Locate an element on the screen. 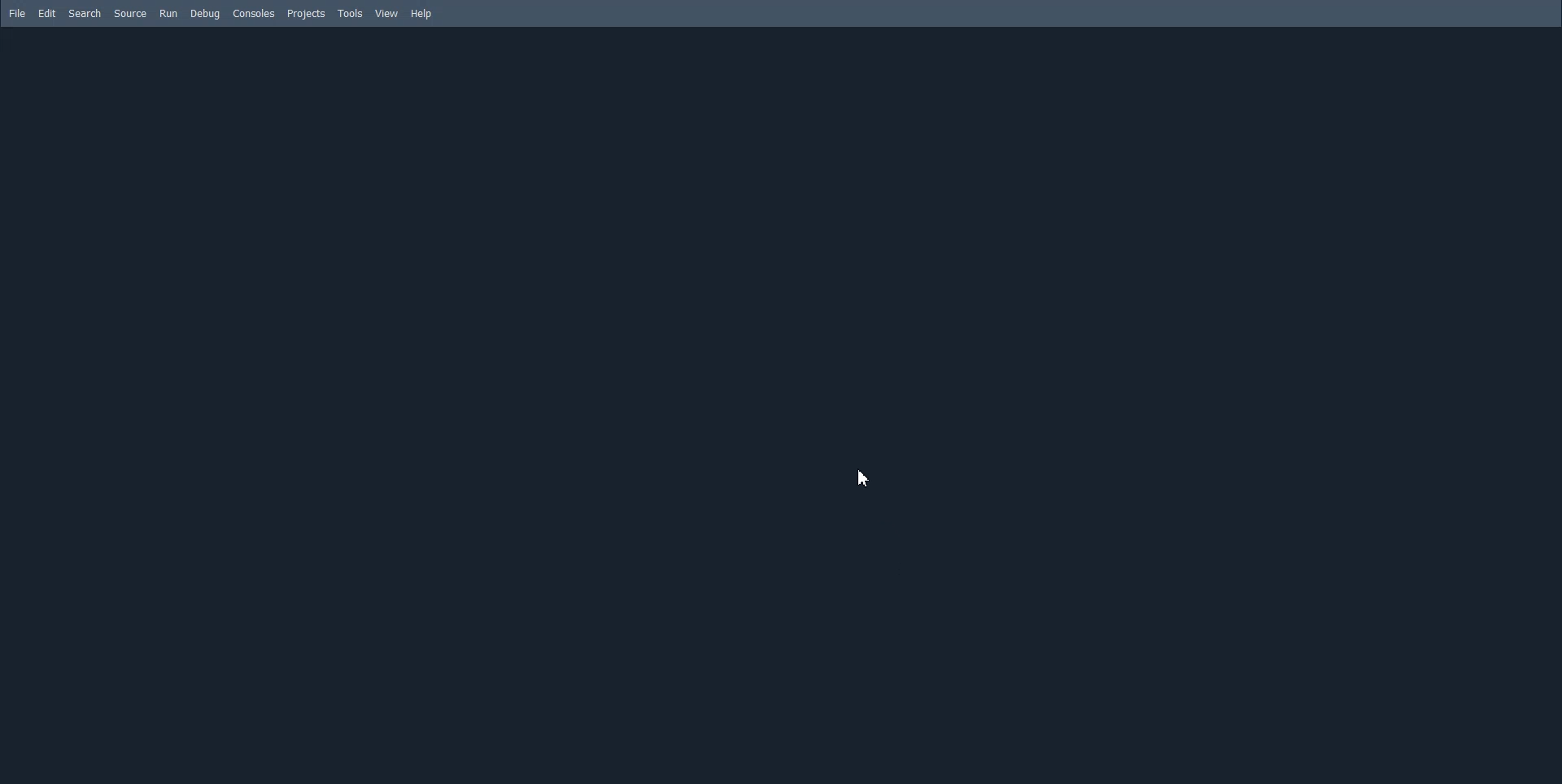 The width and height of the screenshot is (1562, 784). Debug is located at coordinates (205, 14).